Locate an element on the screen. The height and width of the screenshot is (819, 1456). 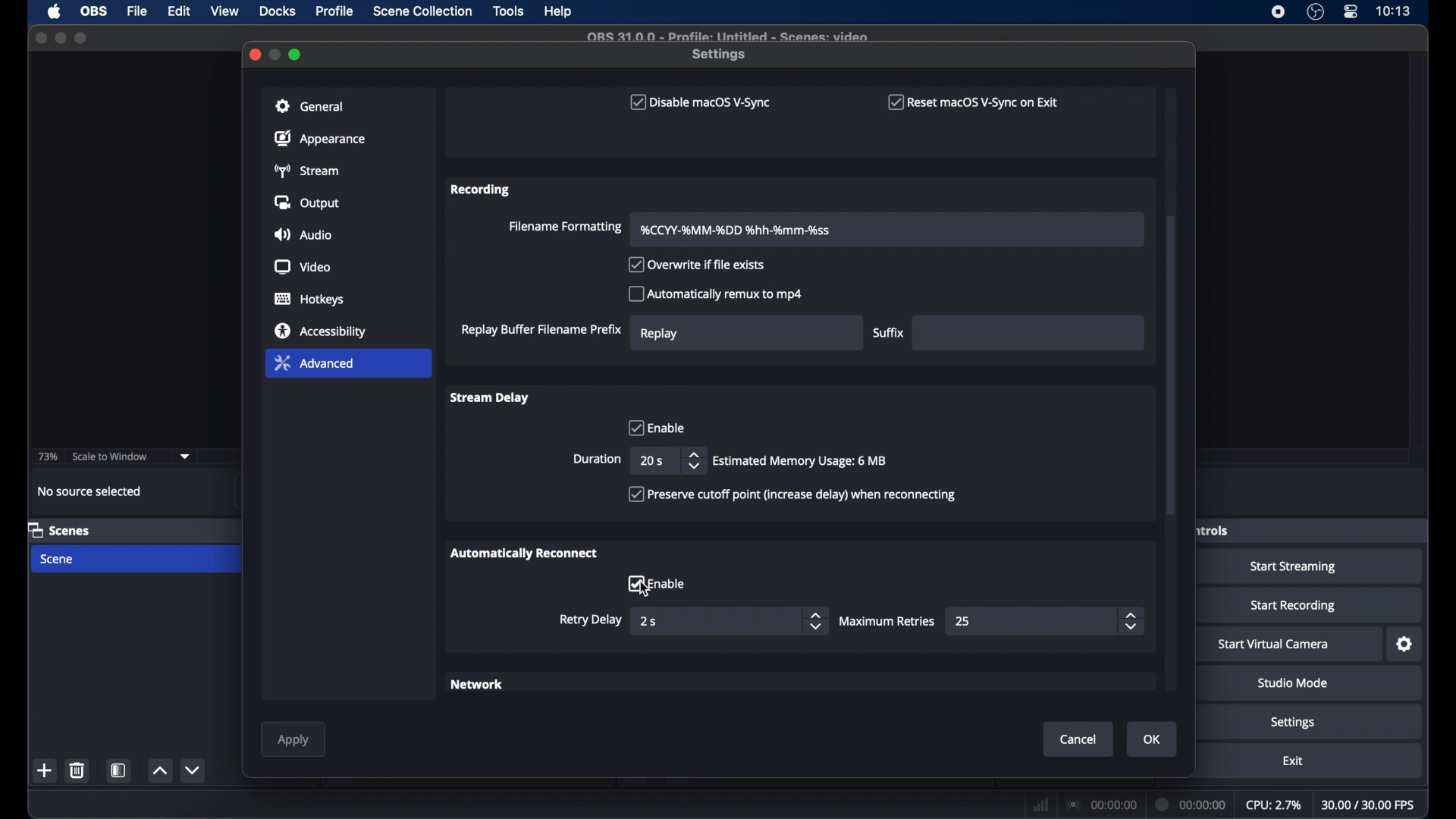
edit is located at coordinates (178, 11).